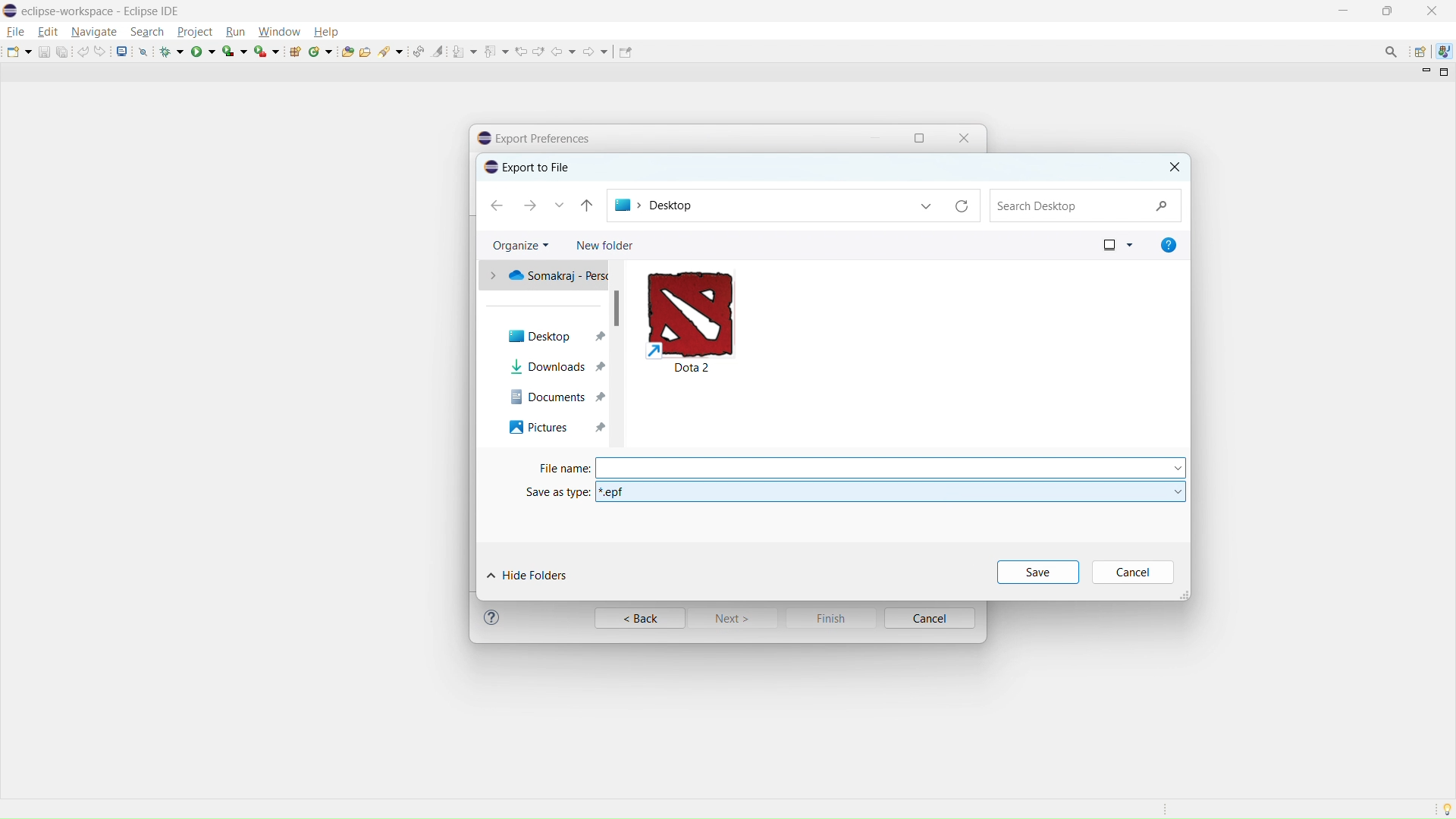 Image resolution: width=1456 pixels, height=819 pixels. Describe the element at coordinates (539, 51) in the screenshot. I see `view next location` at that location.